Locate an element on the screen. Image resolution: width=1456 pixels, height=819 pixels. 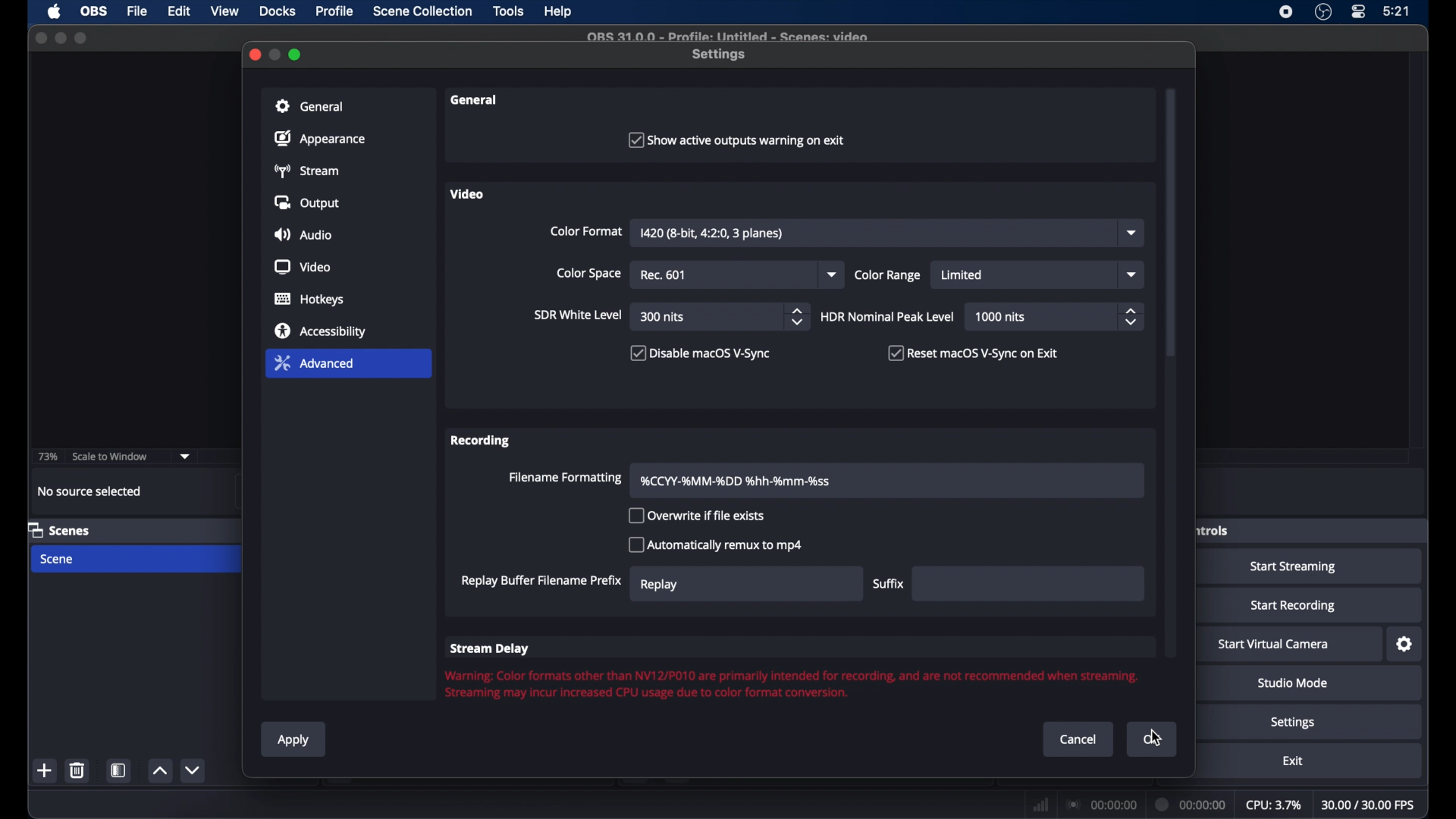
dropdown is located at coordinates (186, 457).